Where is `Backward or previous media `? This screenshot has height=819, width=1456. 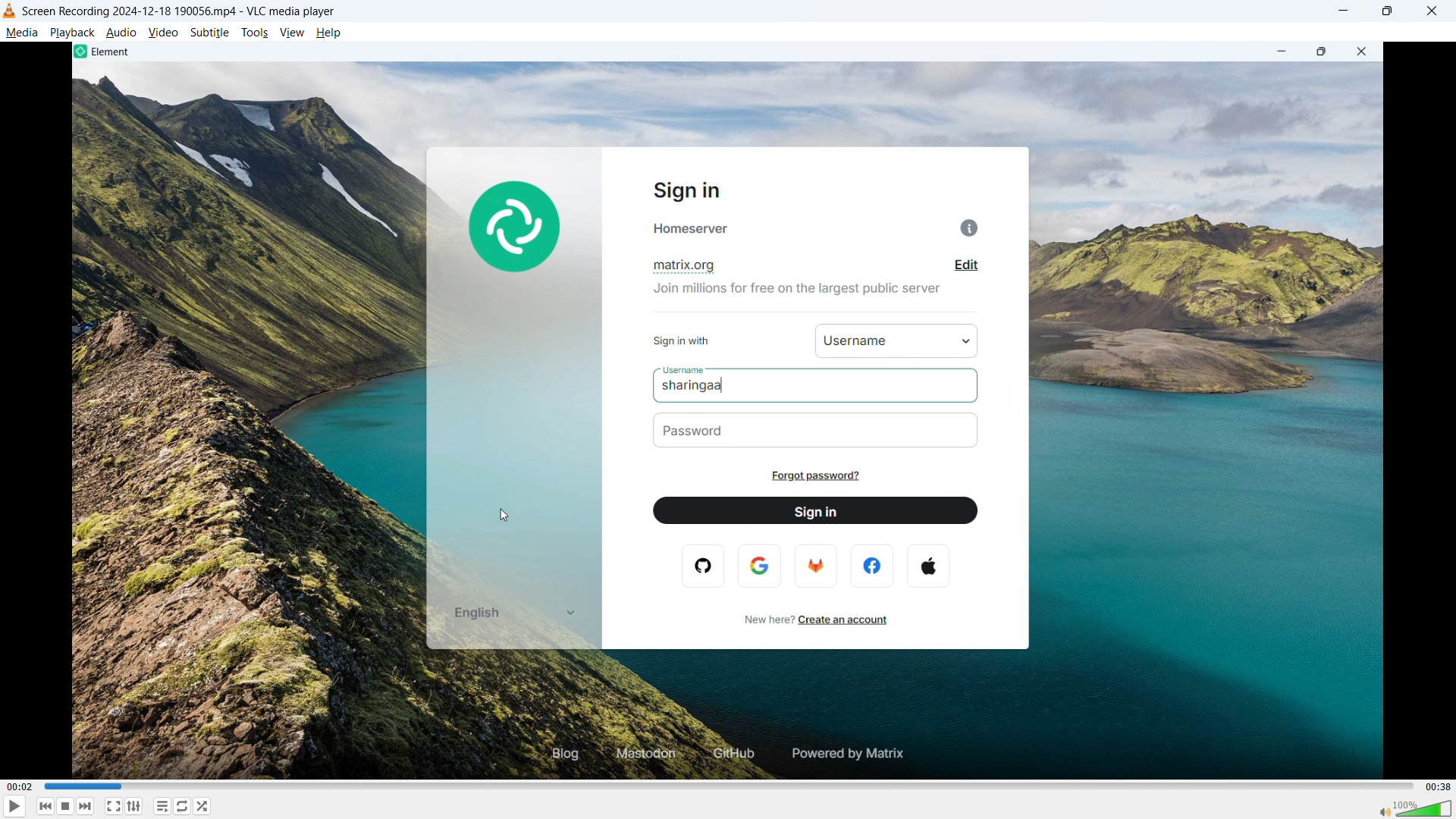
Backward or previous media  is located at coordinates (46, 806).